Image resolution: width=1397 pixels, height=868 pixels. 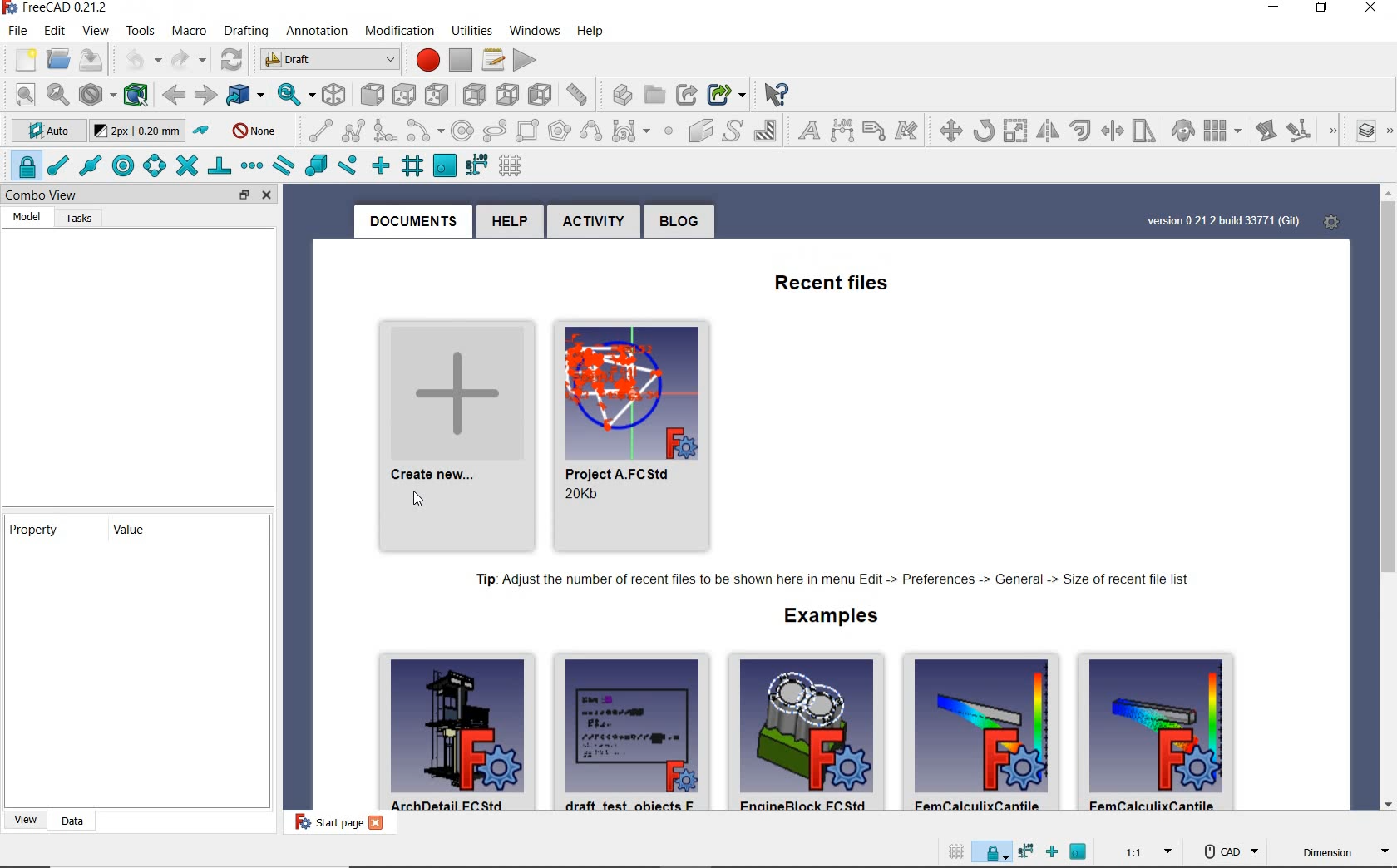 I want to click on B-spline, so click(x=591, y=131).